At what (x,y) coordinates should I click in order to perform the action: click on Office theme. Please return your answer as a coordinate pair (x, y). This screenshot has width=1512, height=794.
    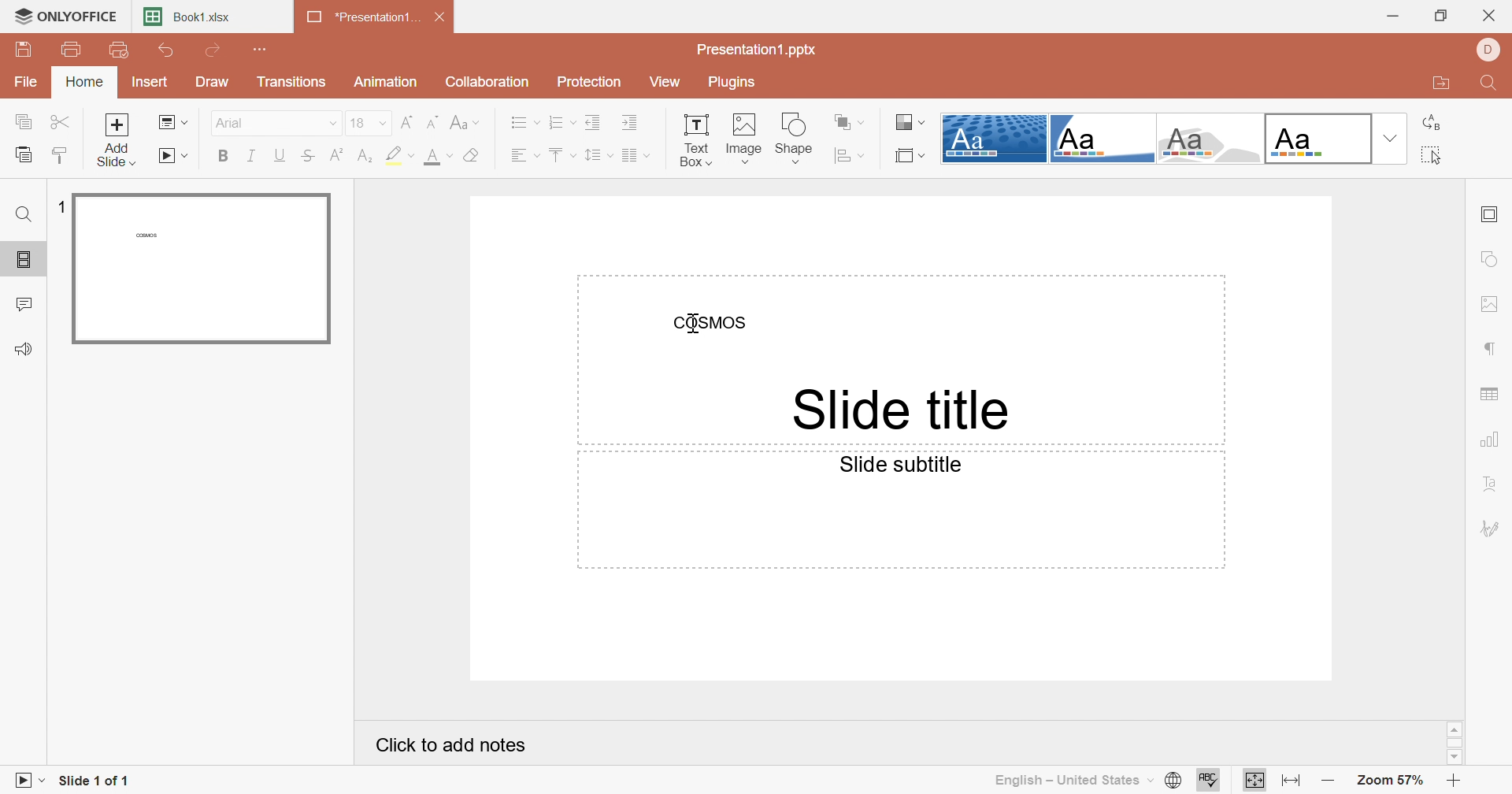
    Looking at the image, I should click on (1317, 139).